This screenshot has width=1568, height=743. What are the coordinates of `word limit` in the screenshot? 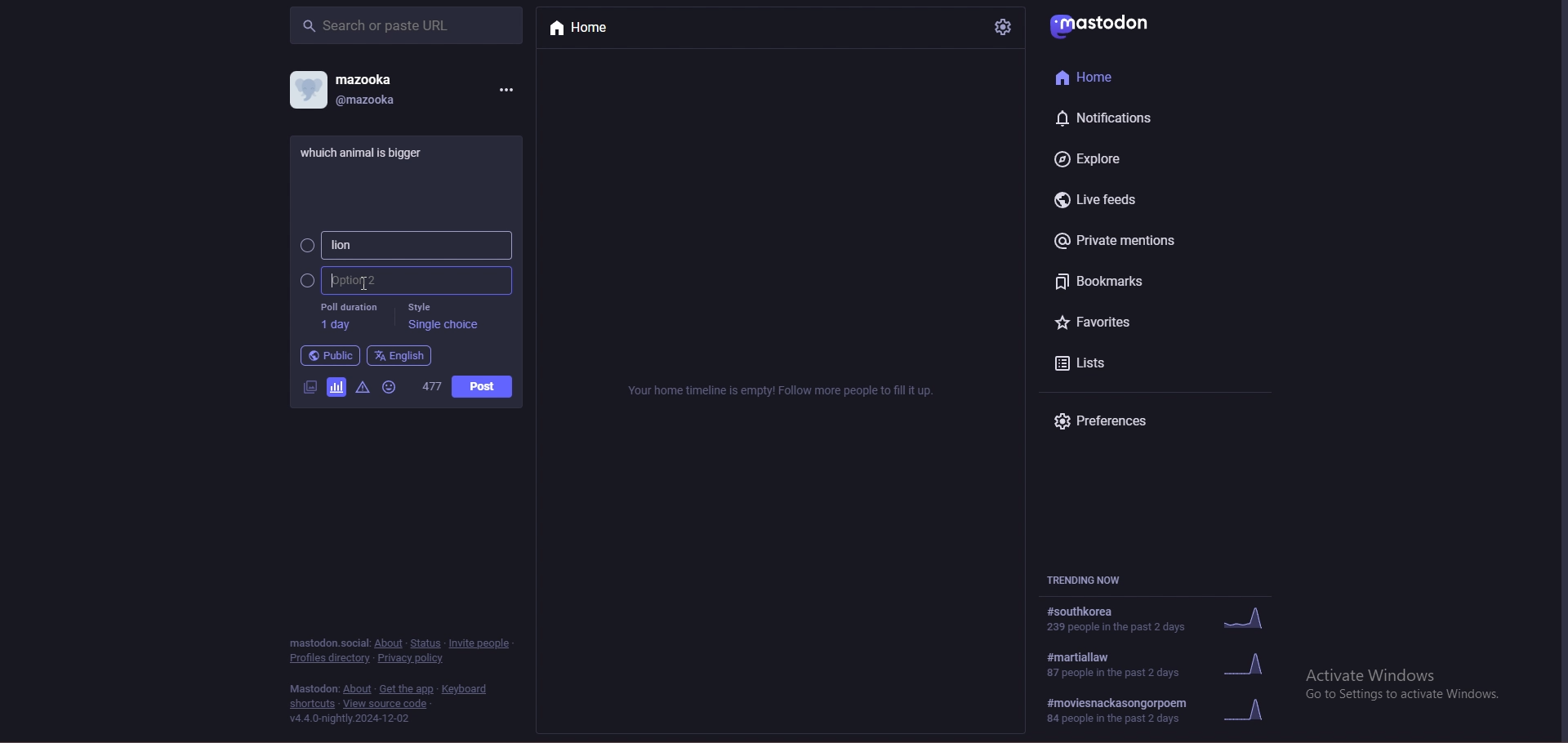 It's located at (430, 387).